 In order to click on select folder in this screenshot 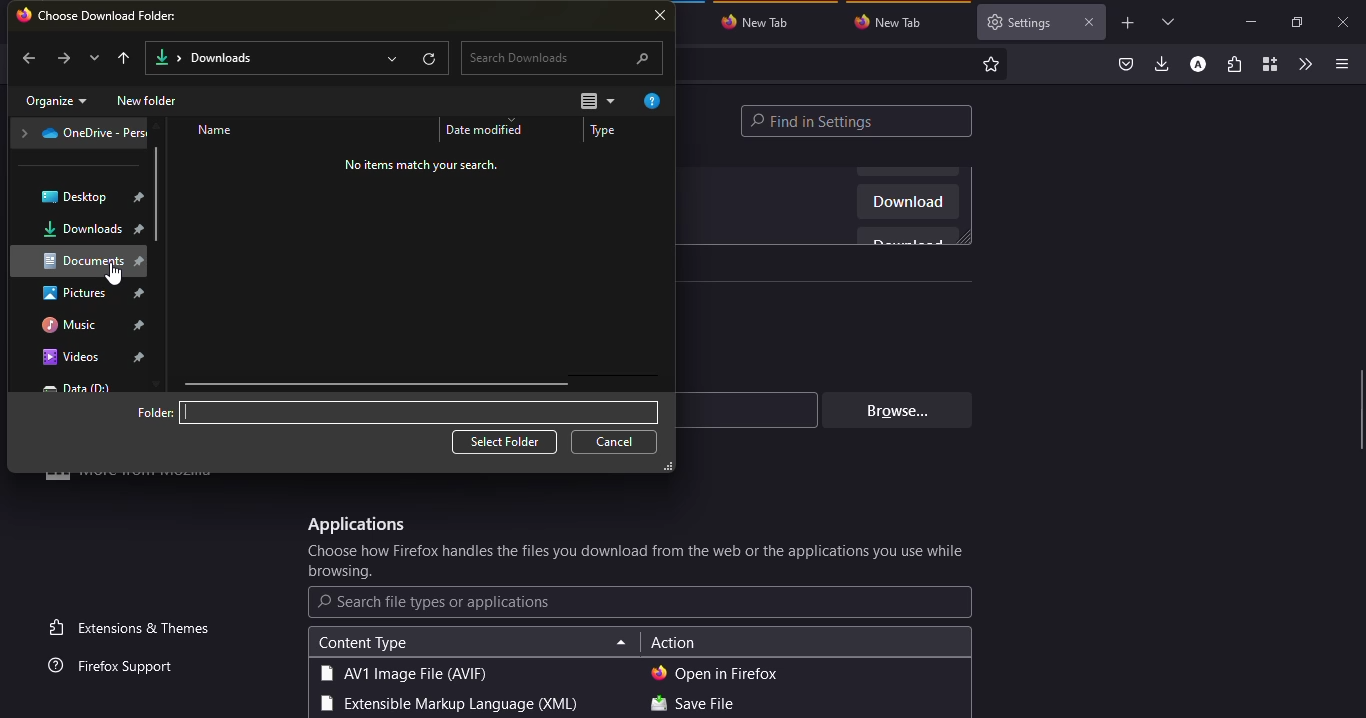, I will do `click(505, 442)`.